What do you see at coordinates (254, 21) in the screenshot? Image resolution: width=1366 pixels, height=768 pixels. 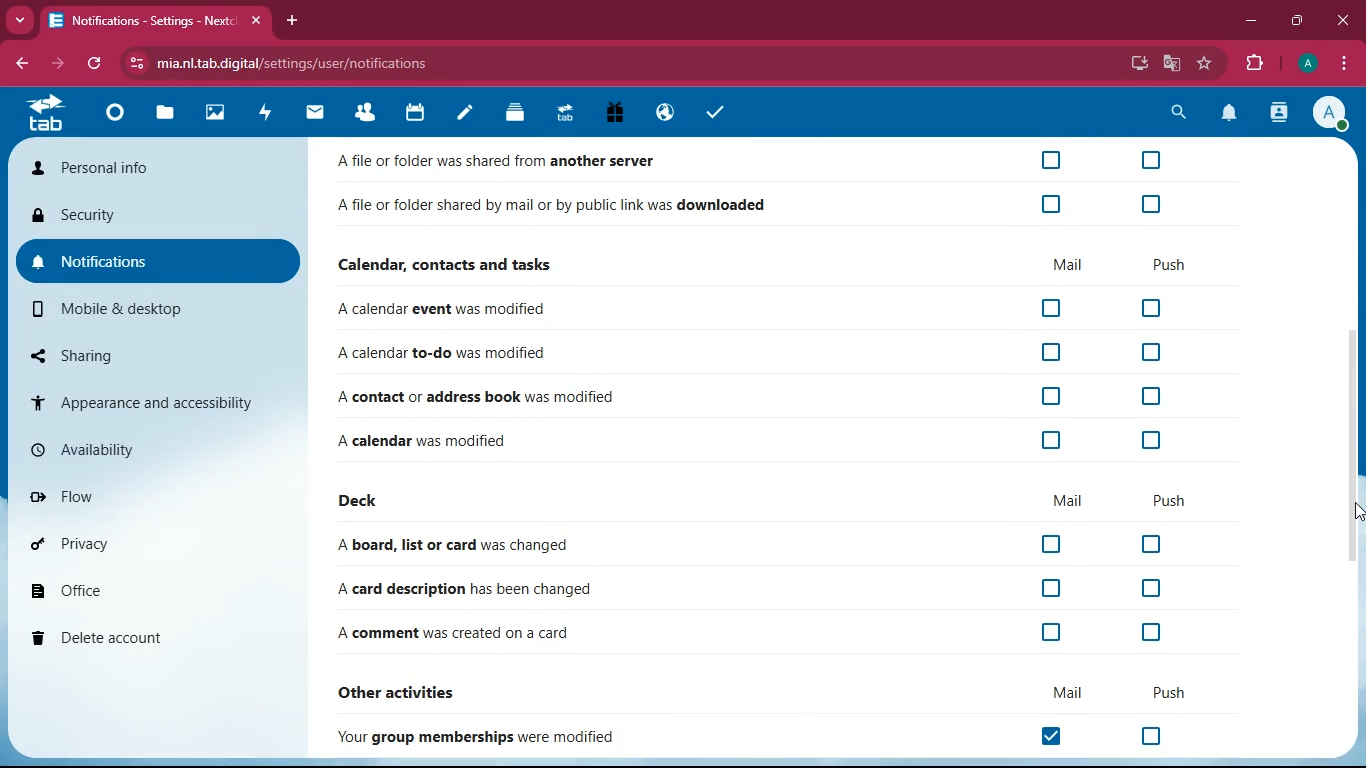 I see `close` at bounding box center [254, 21].